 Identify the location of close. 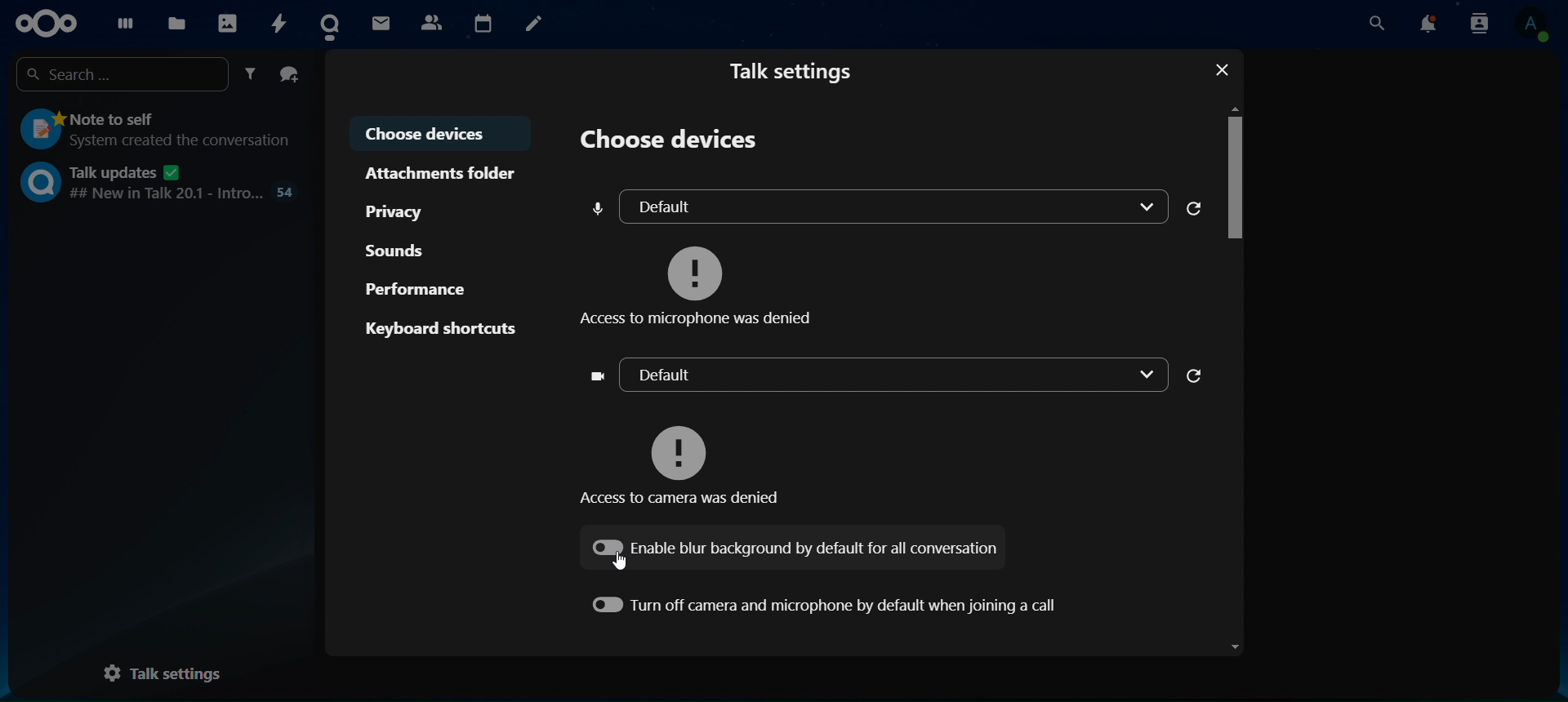
(1223, 69).